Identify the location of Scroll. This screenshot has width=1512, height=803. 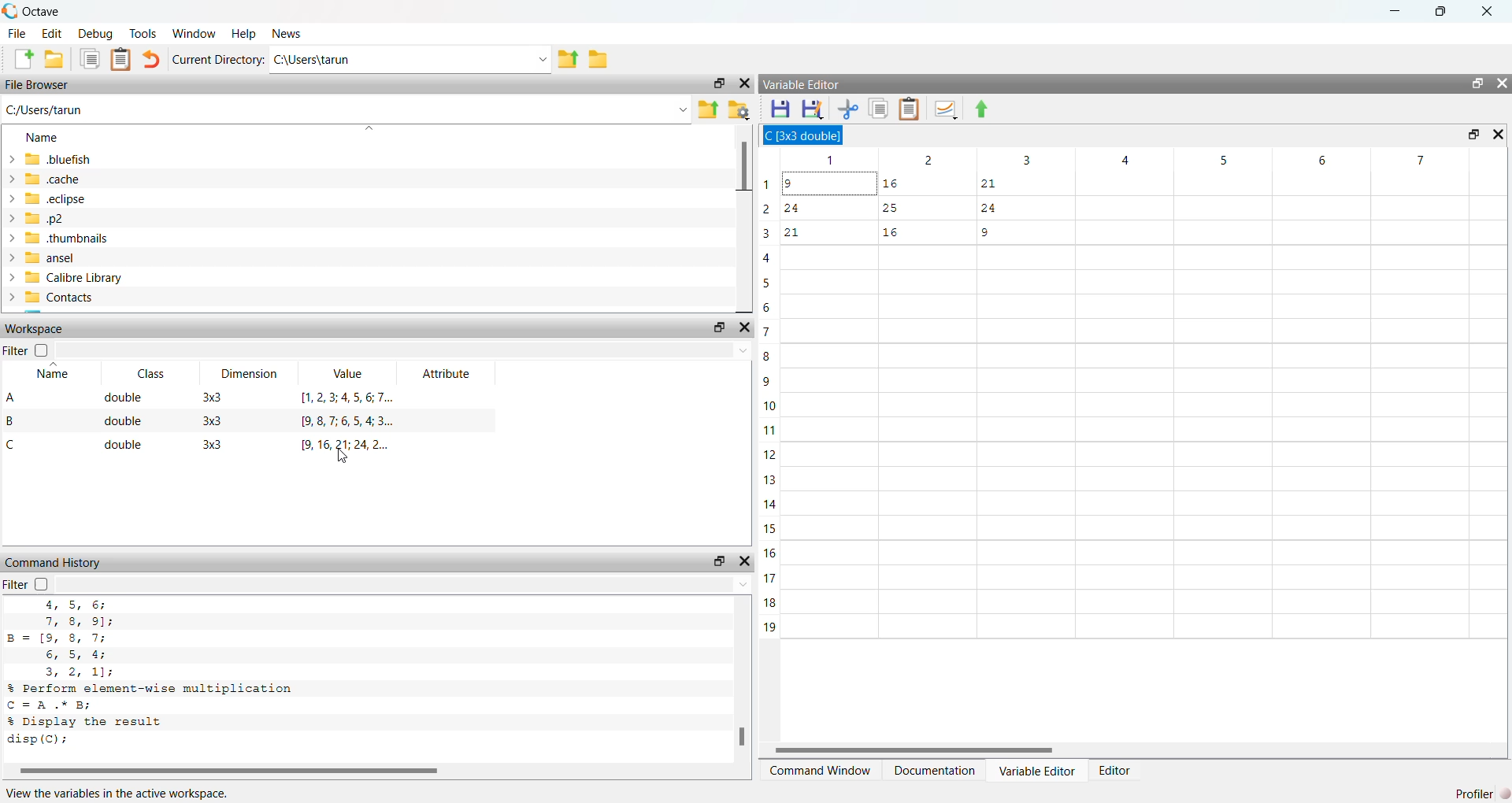
(374, 772).